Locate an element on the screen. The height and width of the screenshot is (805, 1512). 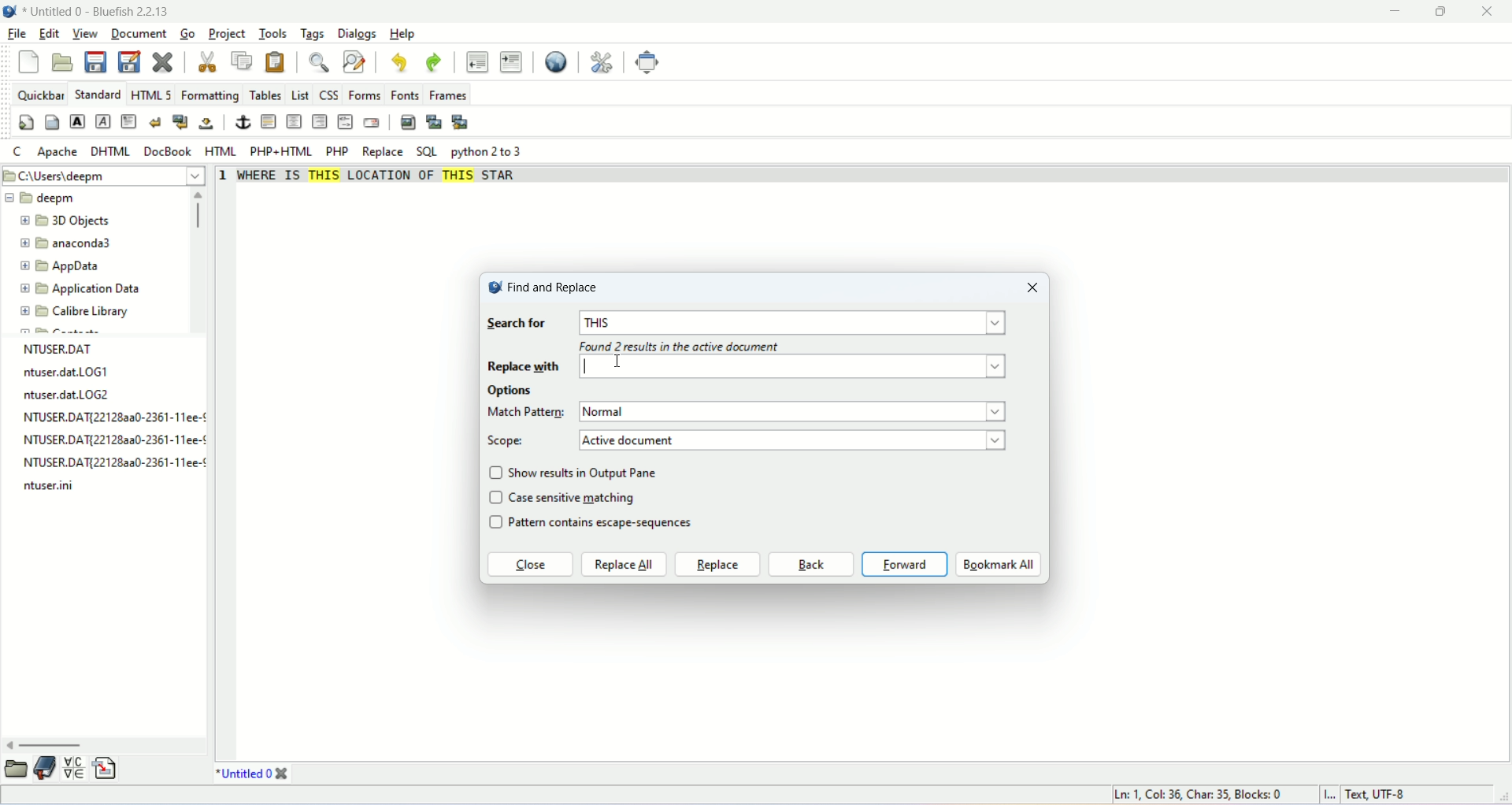
PHP is located at coordinates (337, 150).